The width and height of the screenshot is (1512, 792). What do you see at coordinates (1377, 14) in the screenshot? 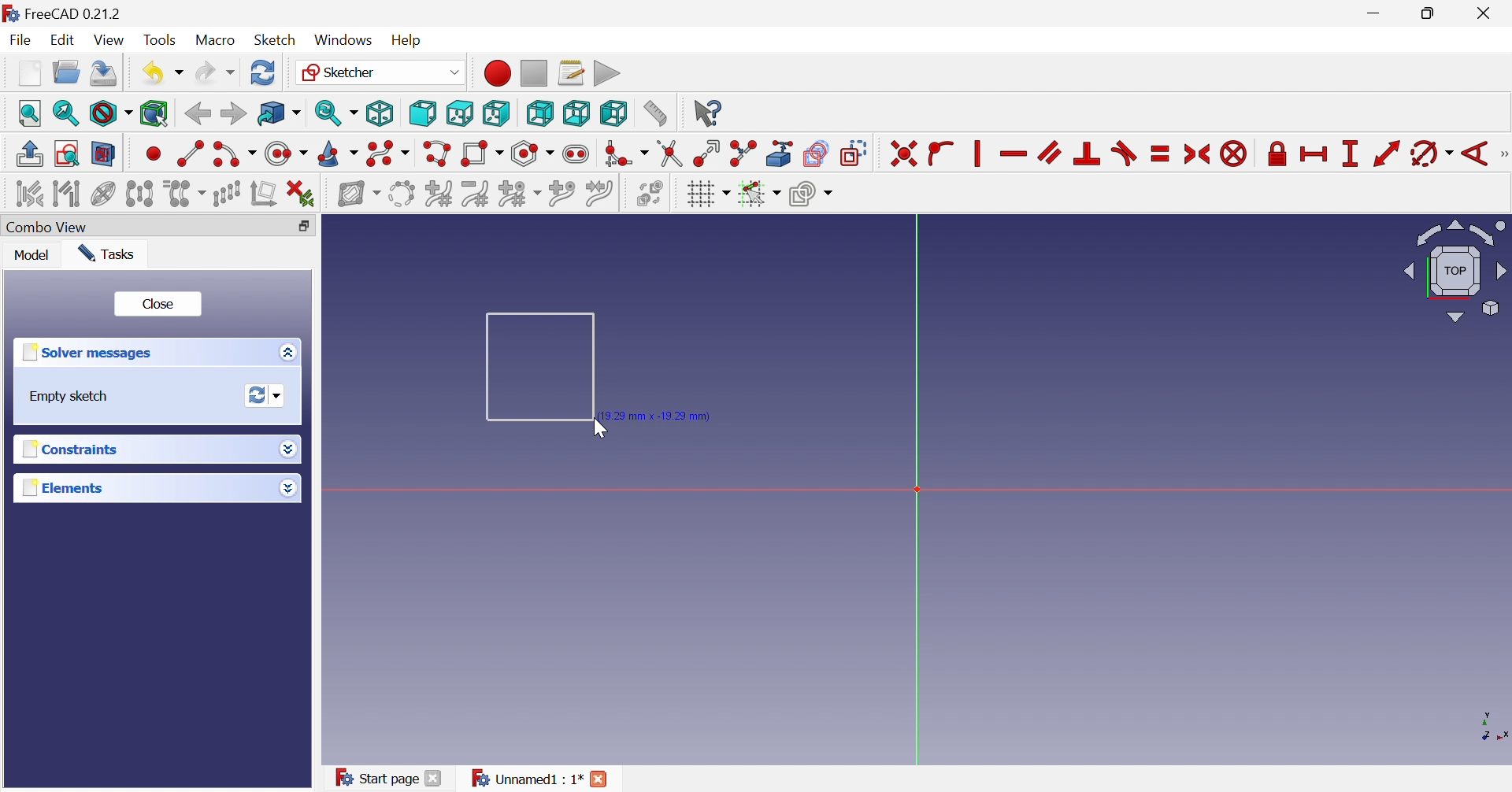
I see `Minimize` at bounding box center [1377, 14].